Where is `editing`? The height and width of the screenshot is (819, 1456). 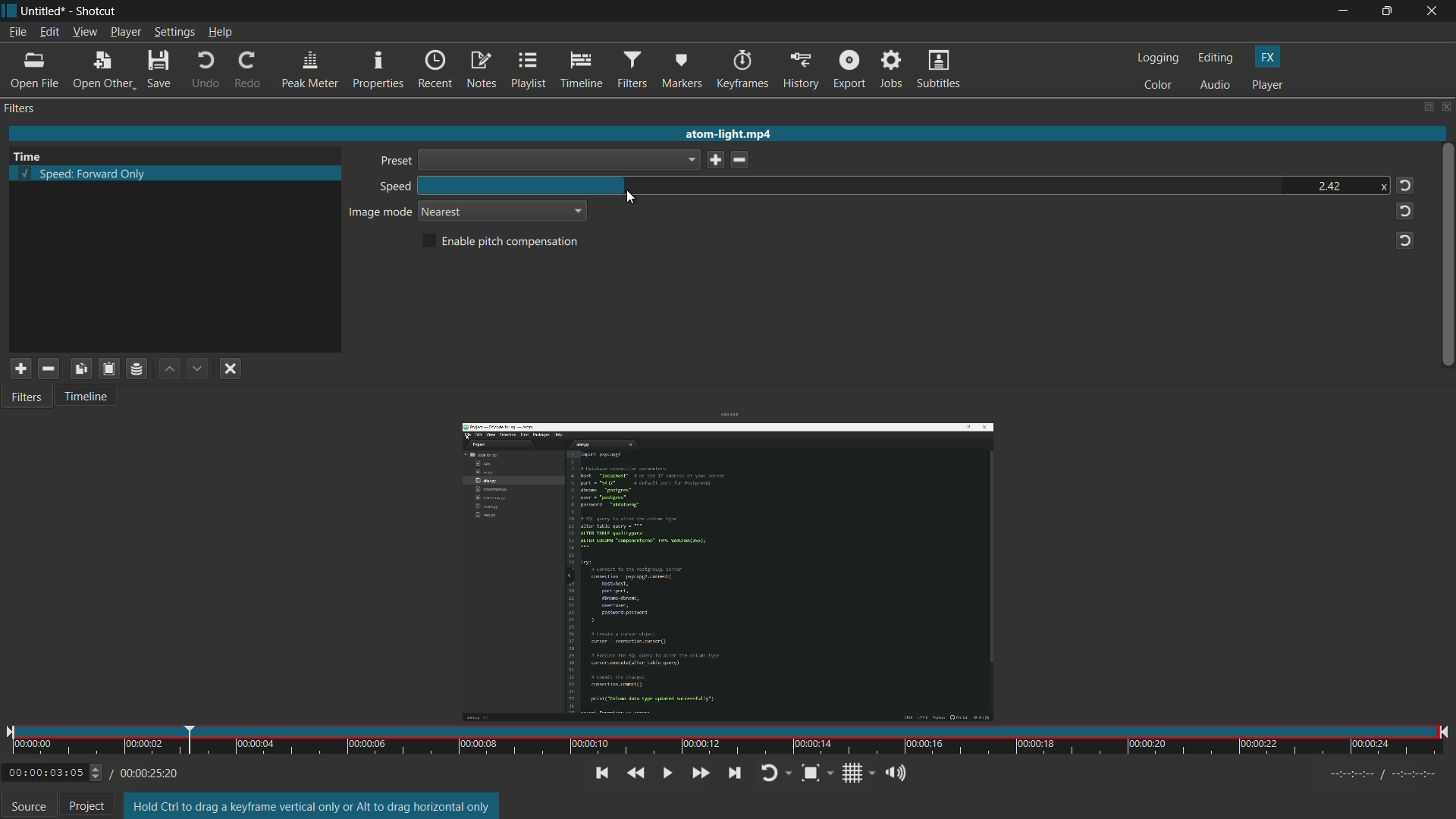
editing is located at coordinates (1216, 58).